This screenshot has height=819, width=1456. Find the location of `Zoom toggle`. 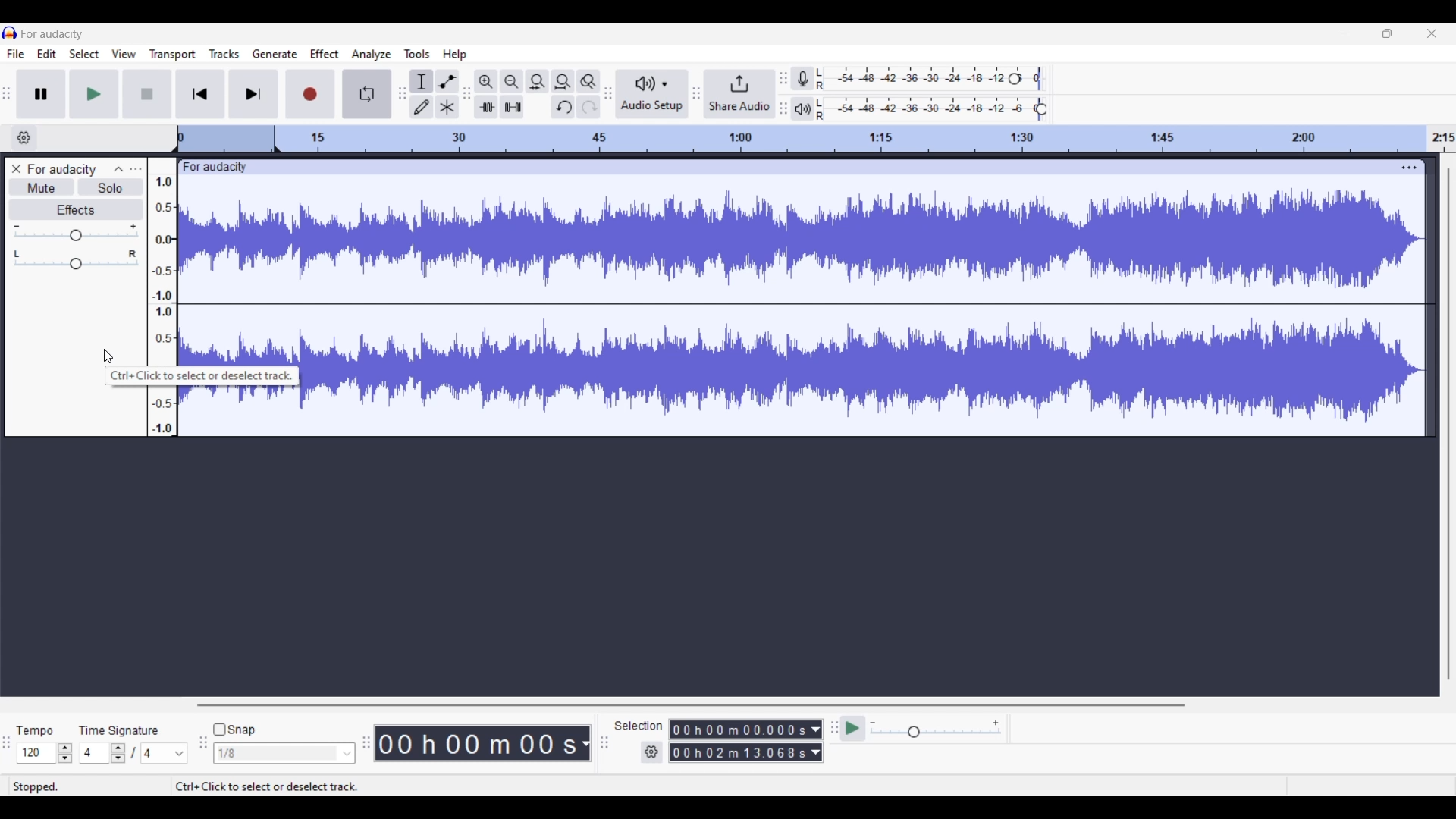

Zoom toggle is located at coordinates (589, 81).